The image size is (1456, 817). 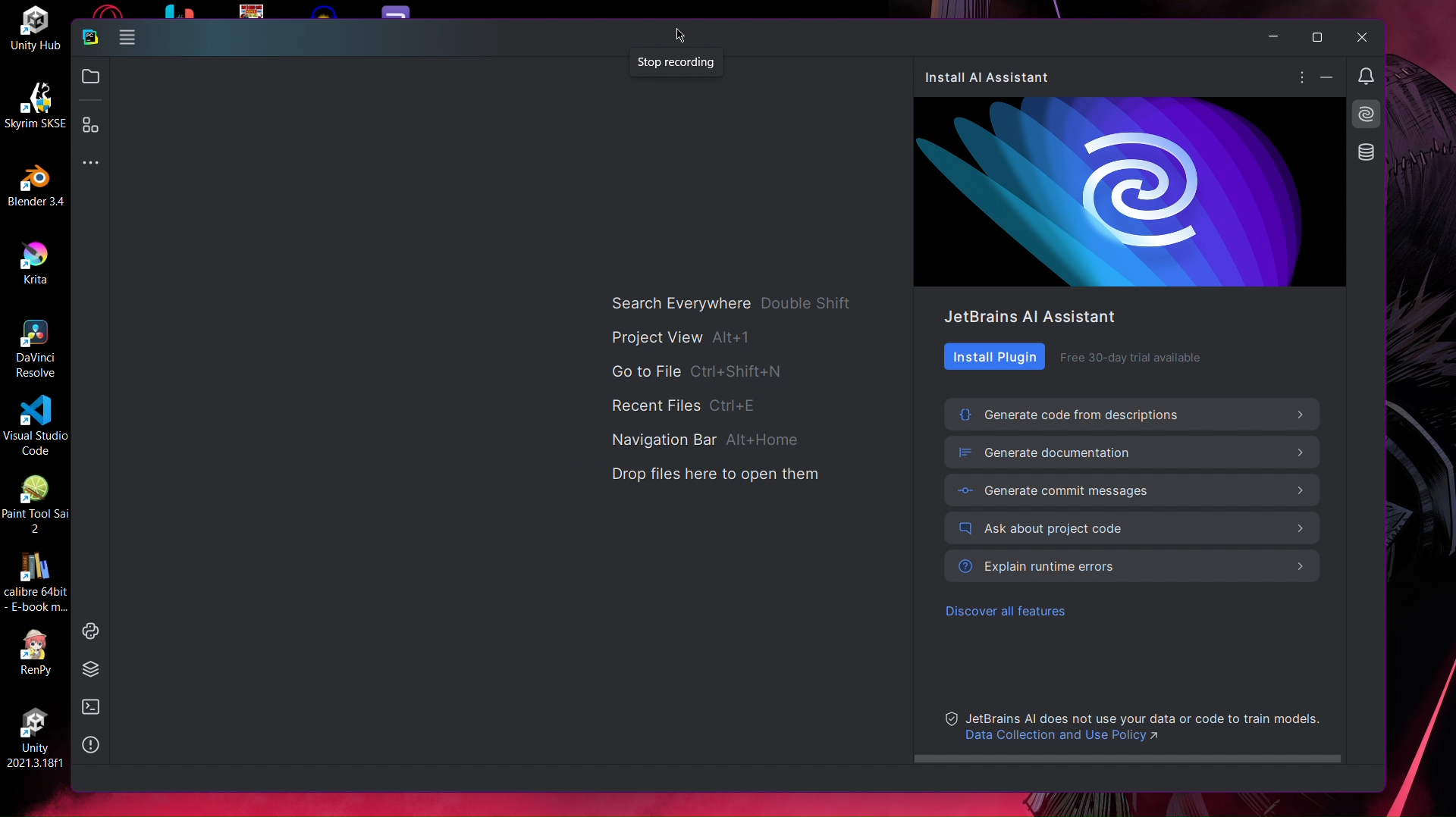 What do you see at coordinates (1368, 77) in the screenshot?
I see `Notifications` at bounding box center [1368, 77].